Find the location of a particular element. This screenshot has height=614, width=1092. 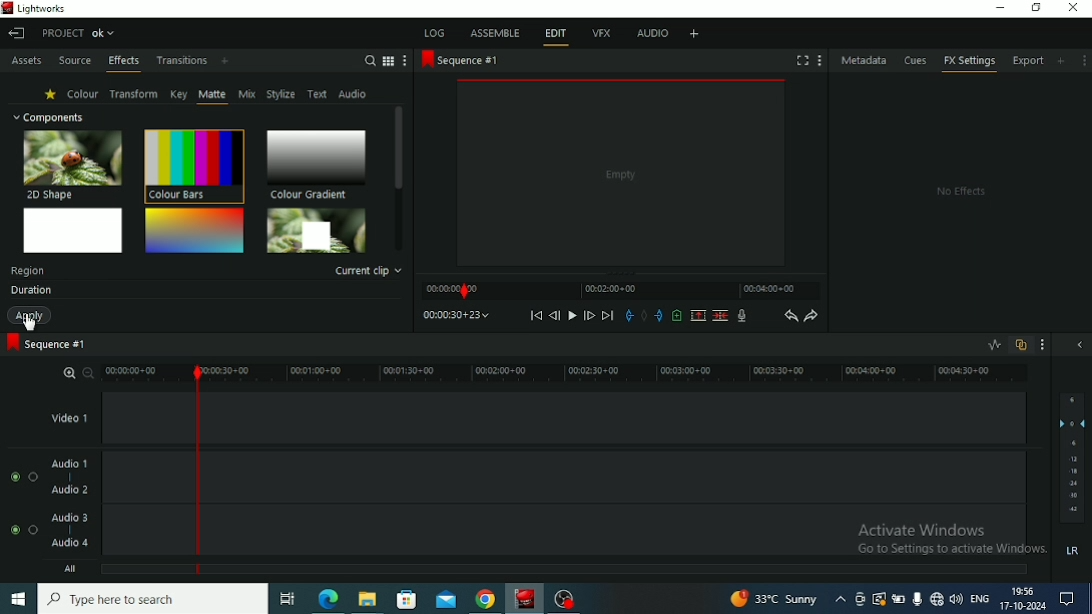

All is located at coordinates (111, 571).